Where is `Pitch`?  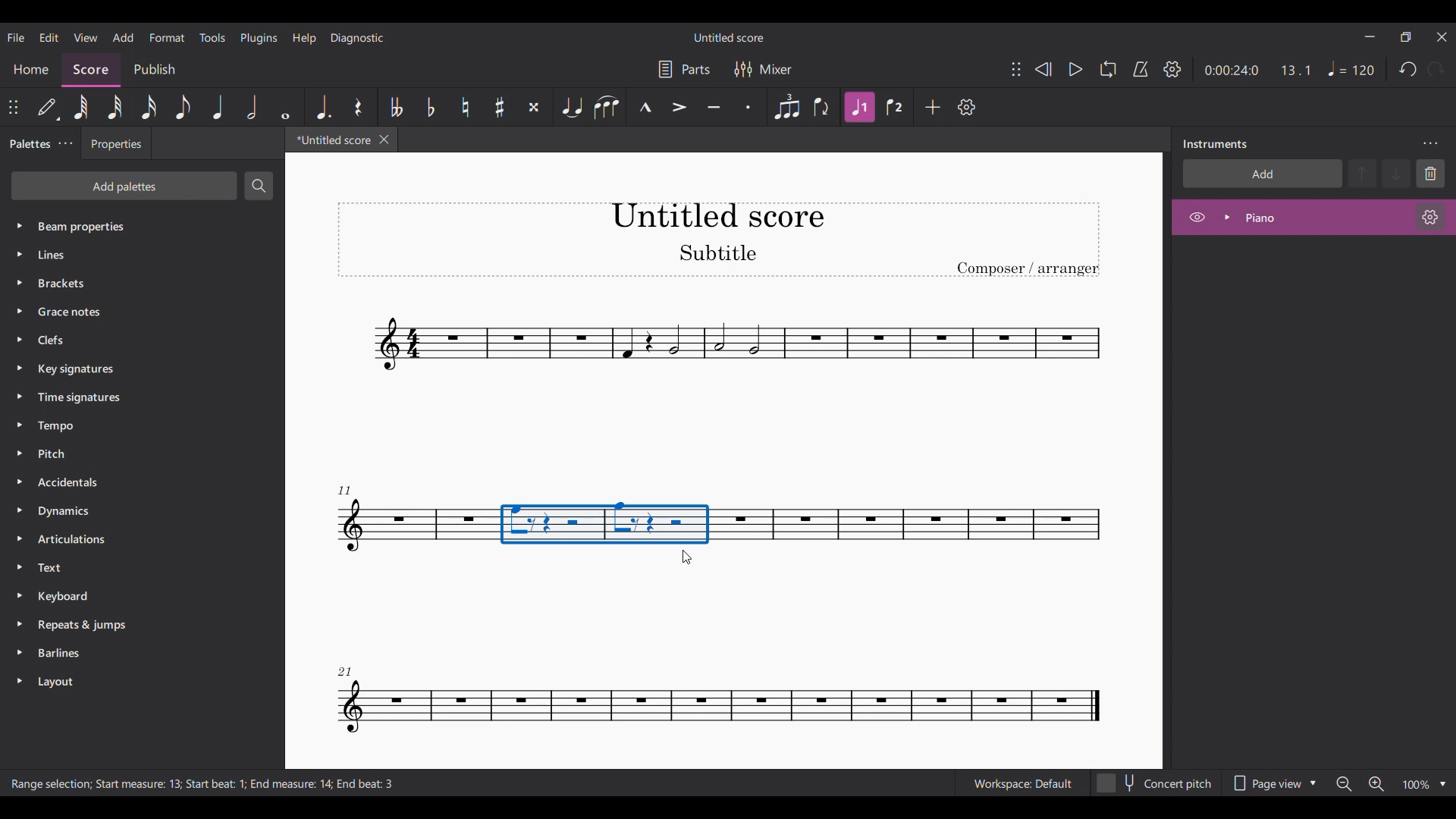
Pitch is located at coordinates (129, 453).